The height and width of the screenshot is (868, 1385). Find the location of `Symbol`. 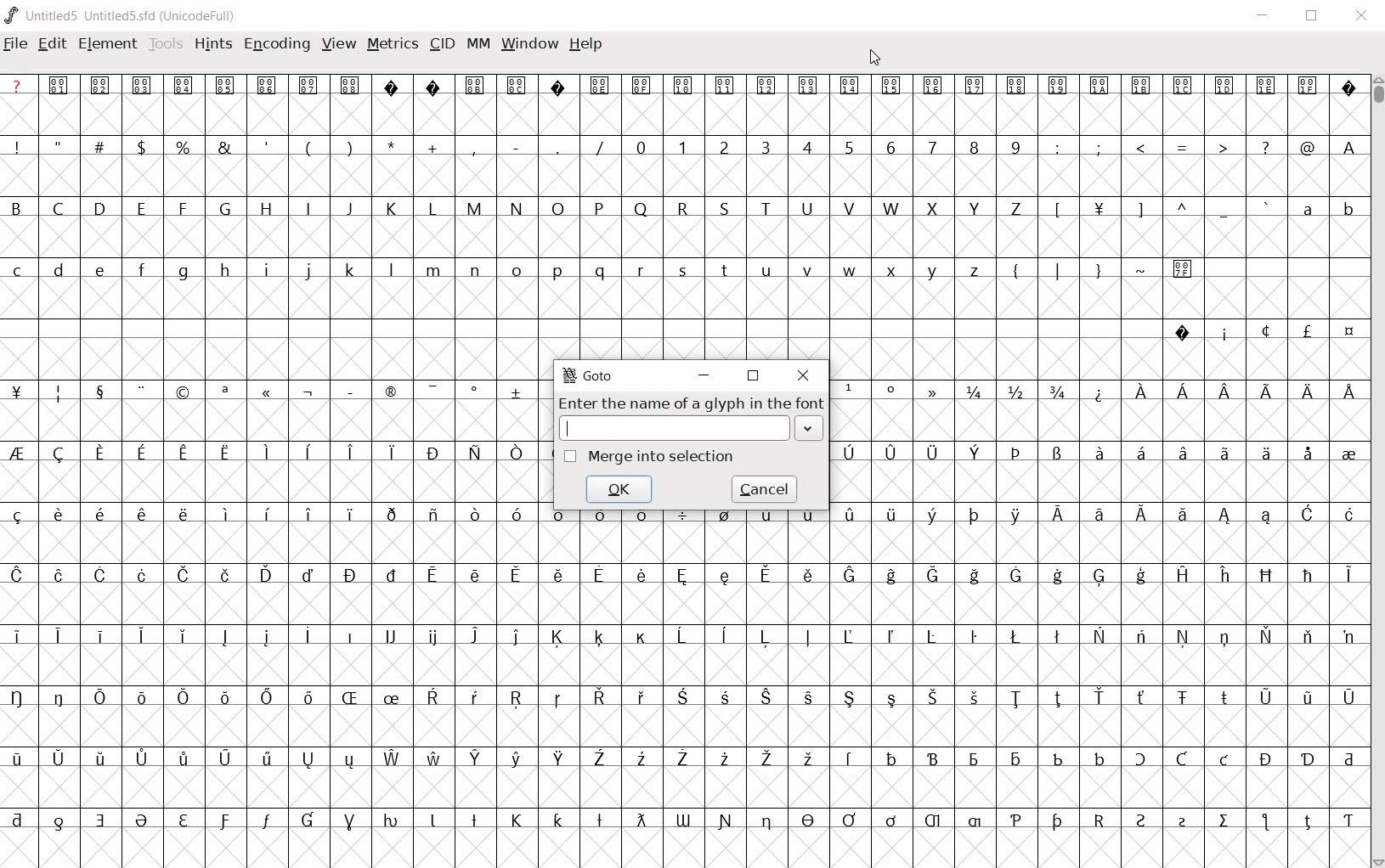

Symbol is located at coordinates (266, 576).